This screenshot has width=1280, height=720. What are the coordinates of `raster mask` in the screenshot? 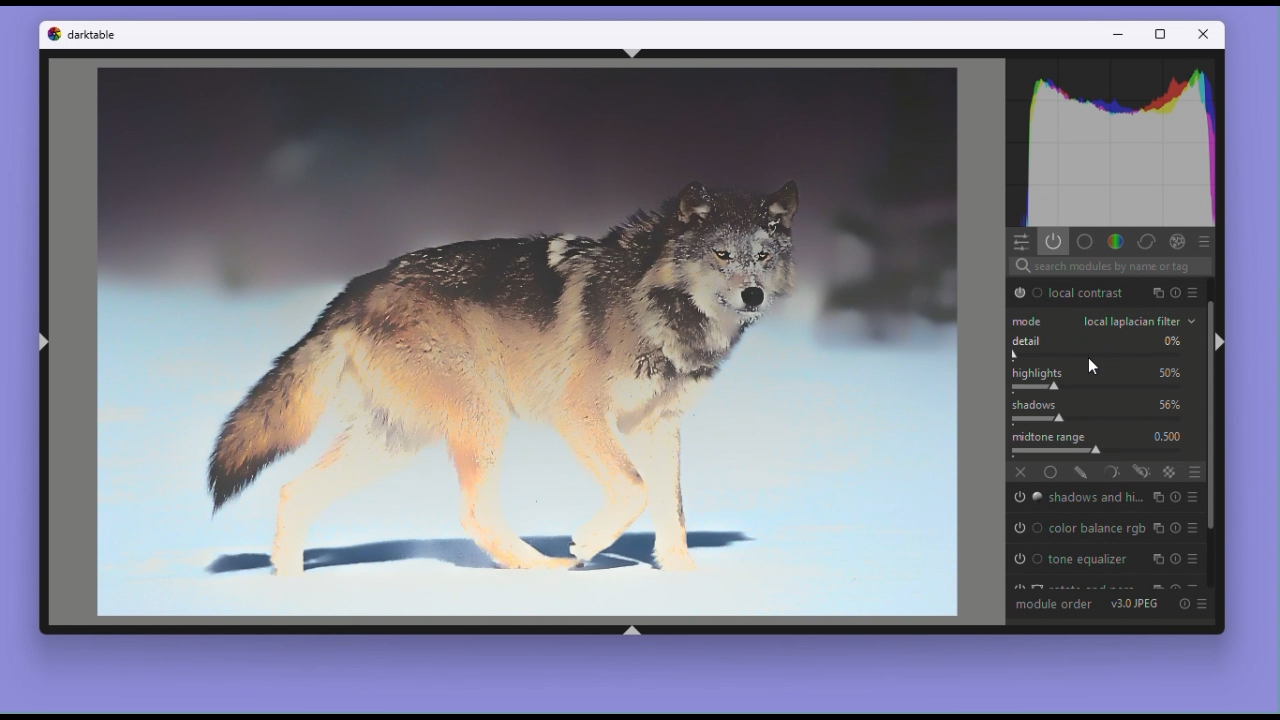 It's located at (1170, 472).